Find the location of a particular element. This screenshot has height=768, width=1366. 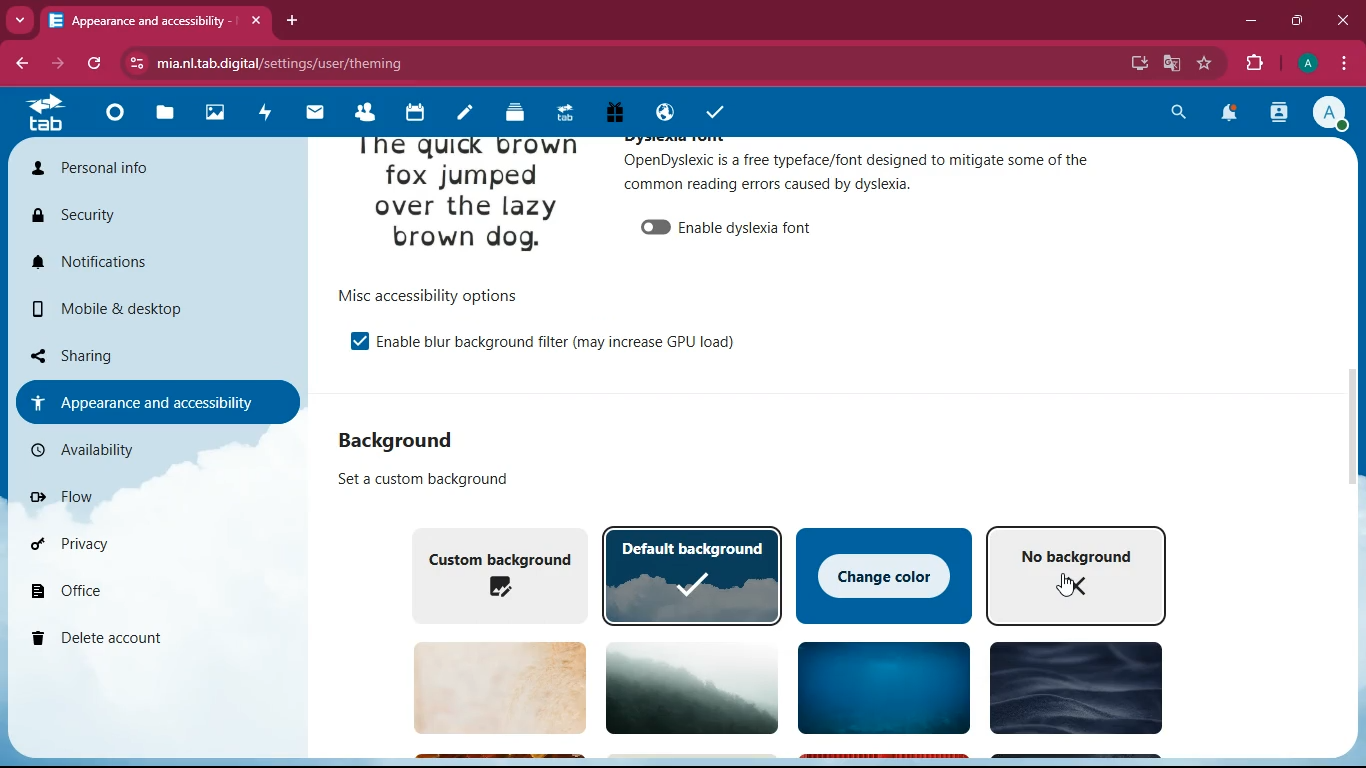

profile is located at coordinates (1334, 114).